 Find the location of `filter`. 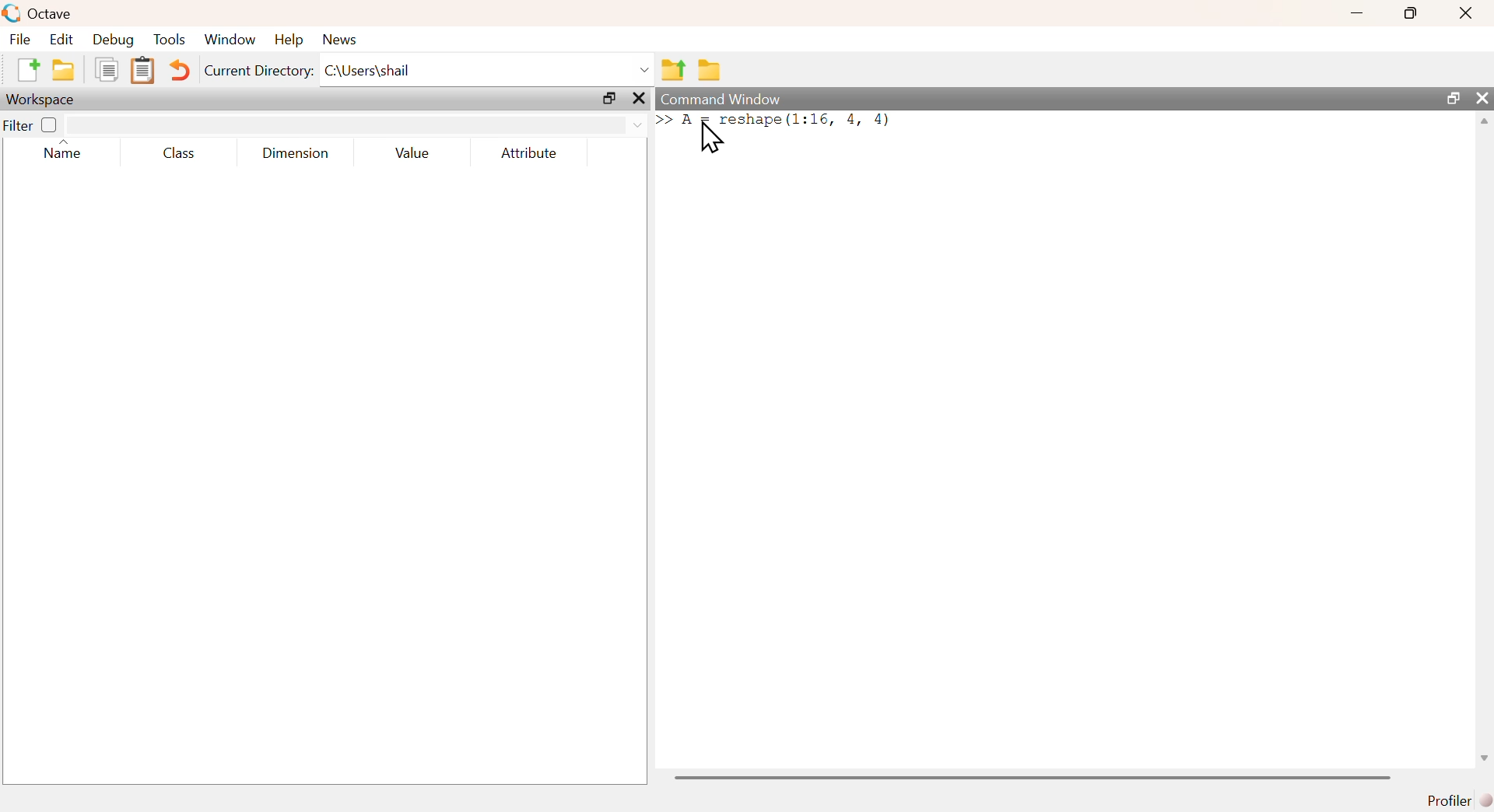

filter is located at coordinates (17, 126).